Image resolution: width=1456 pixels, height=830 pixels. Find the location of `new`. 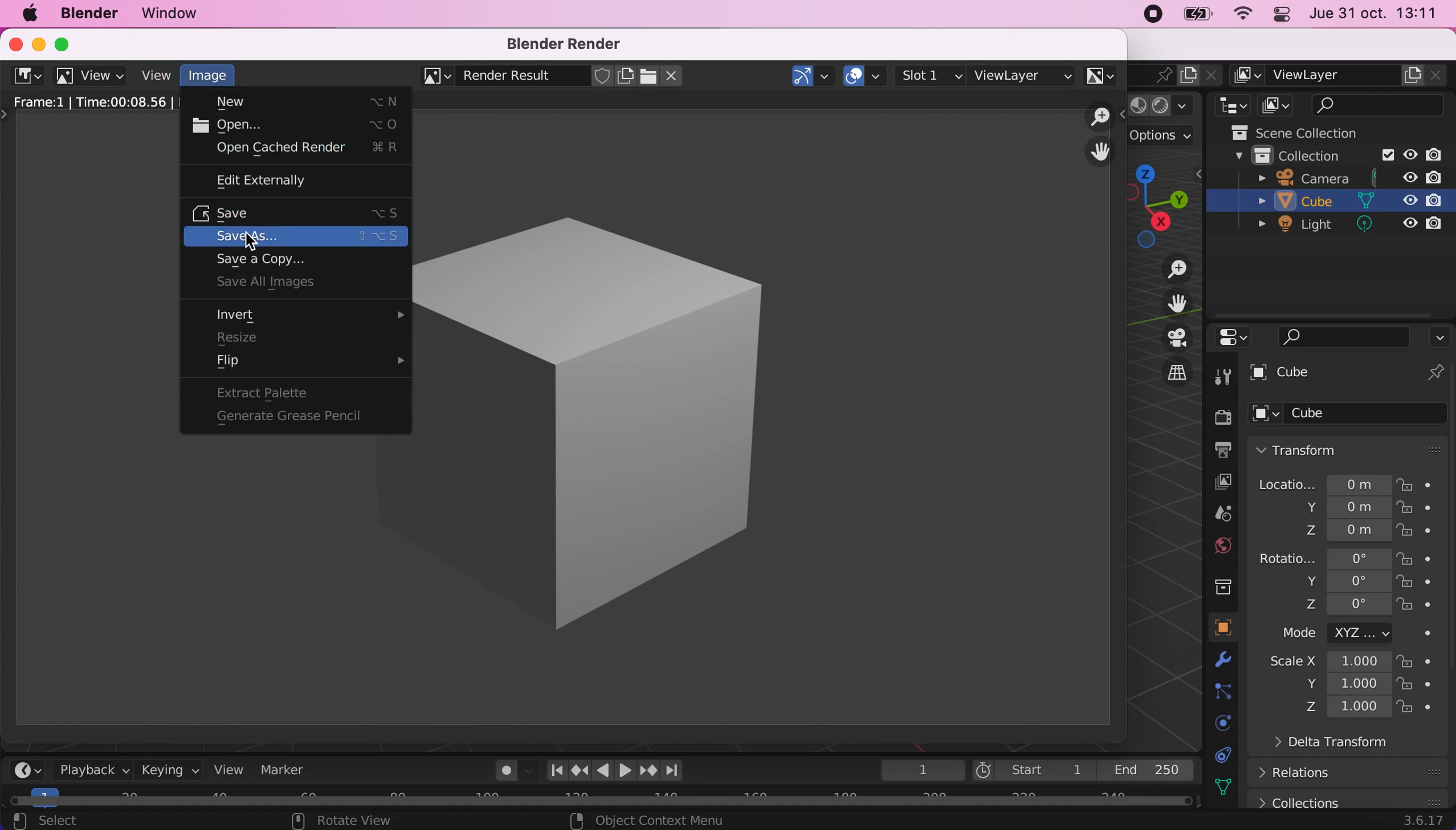

new is located at coordinates (302, 103).